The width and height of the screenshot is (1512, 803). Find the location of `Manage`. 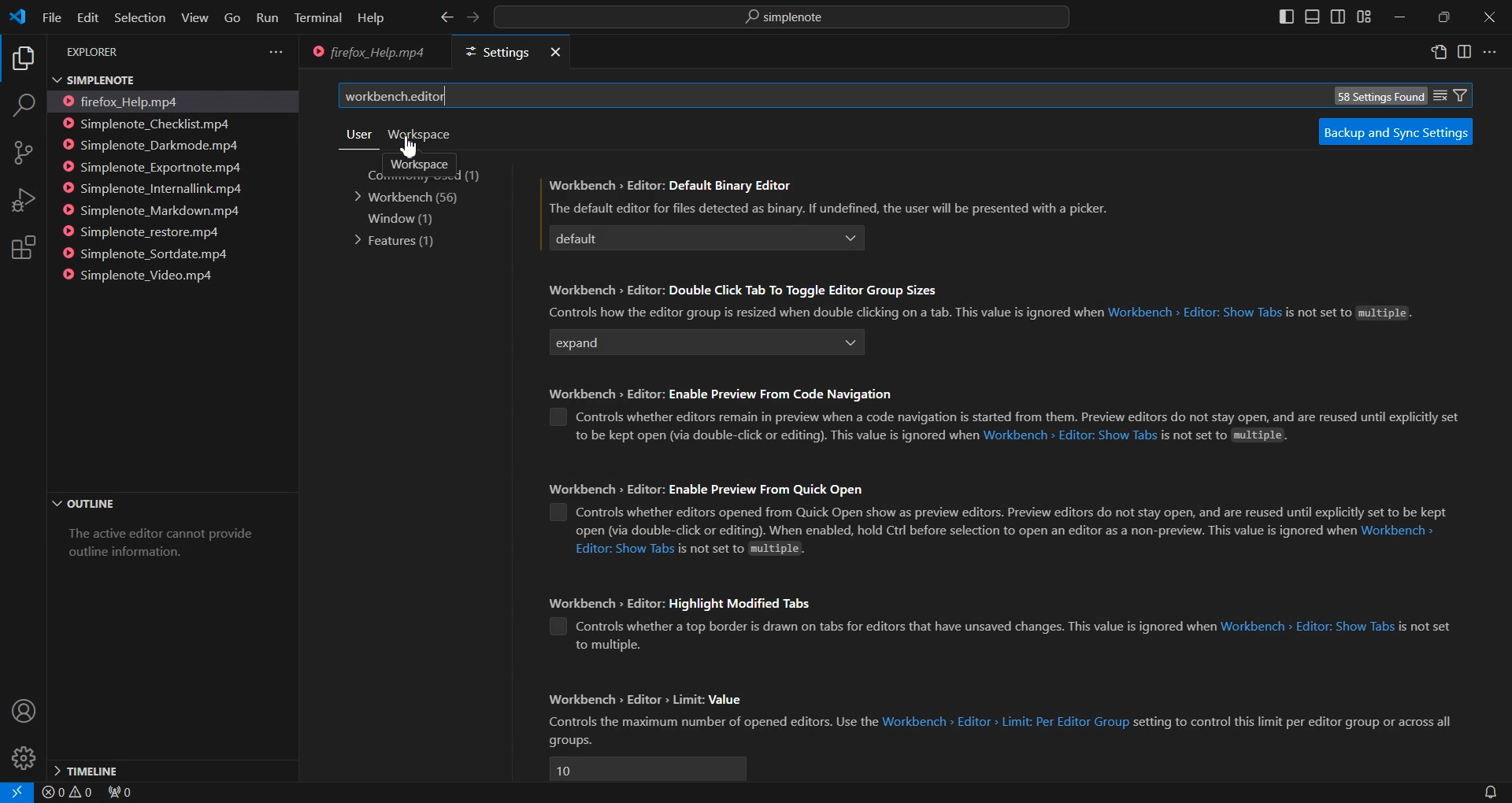

Manage is located at coordinates (24, 758).